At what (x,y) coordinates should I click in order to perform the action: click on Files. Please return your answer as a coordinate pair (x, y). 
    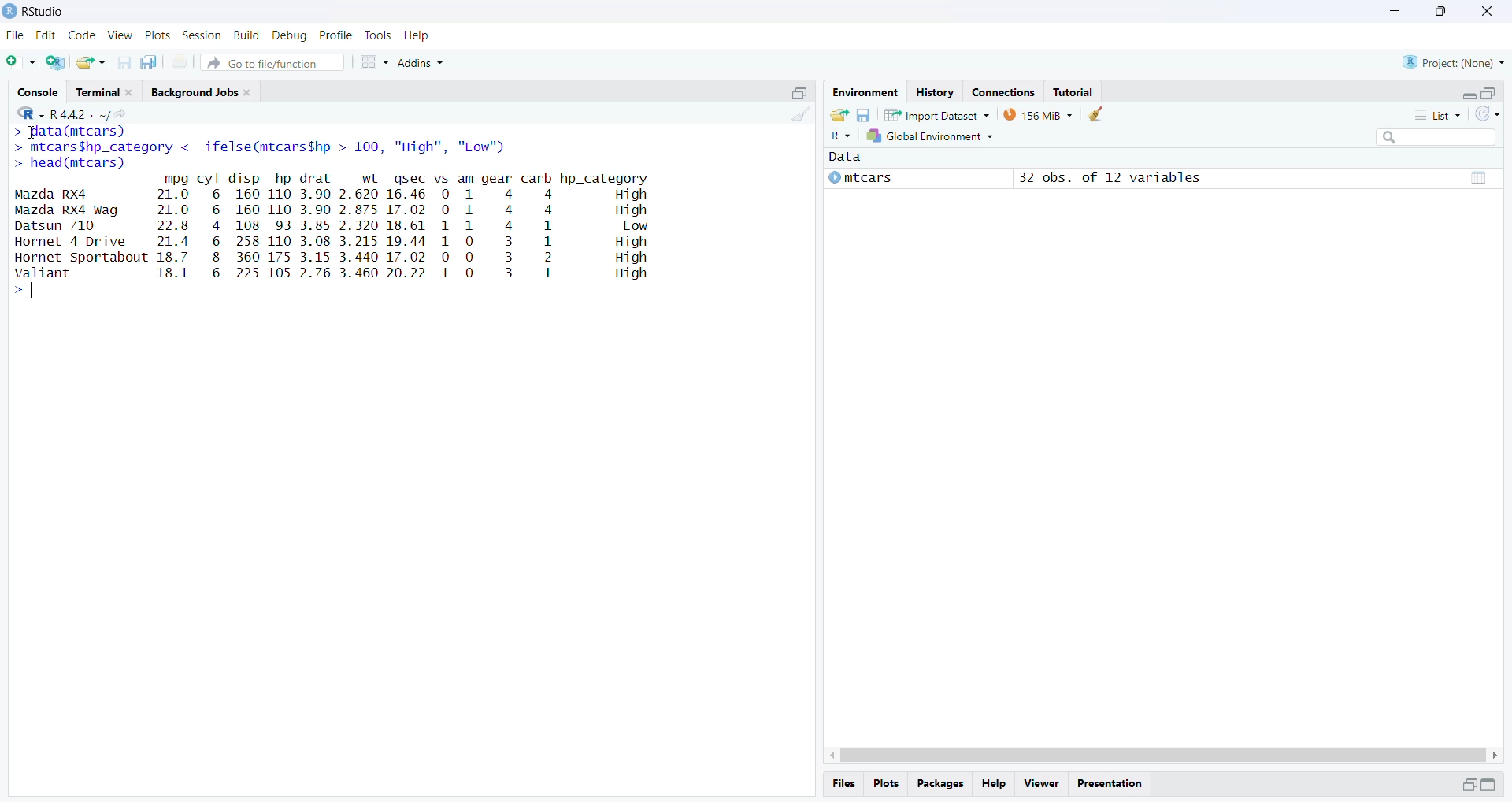
    Looking at the image, I should click on (847, 783).